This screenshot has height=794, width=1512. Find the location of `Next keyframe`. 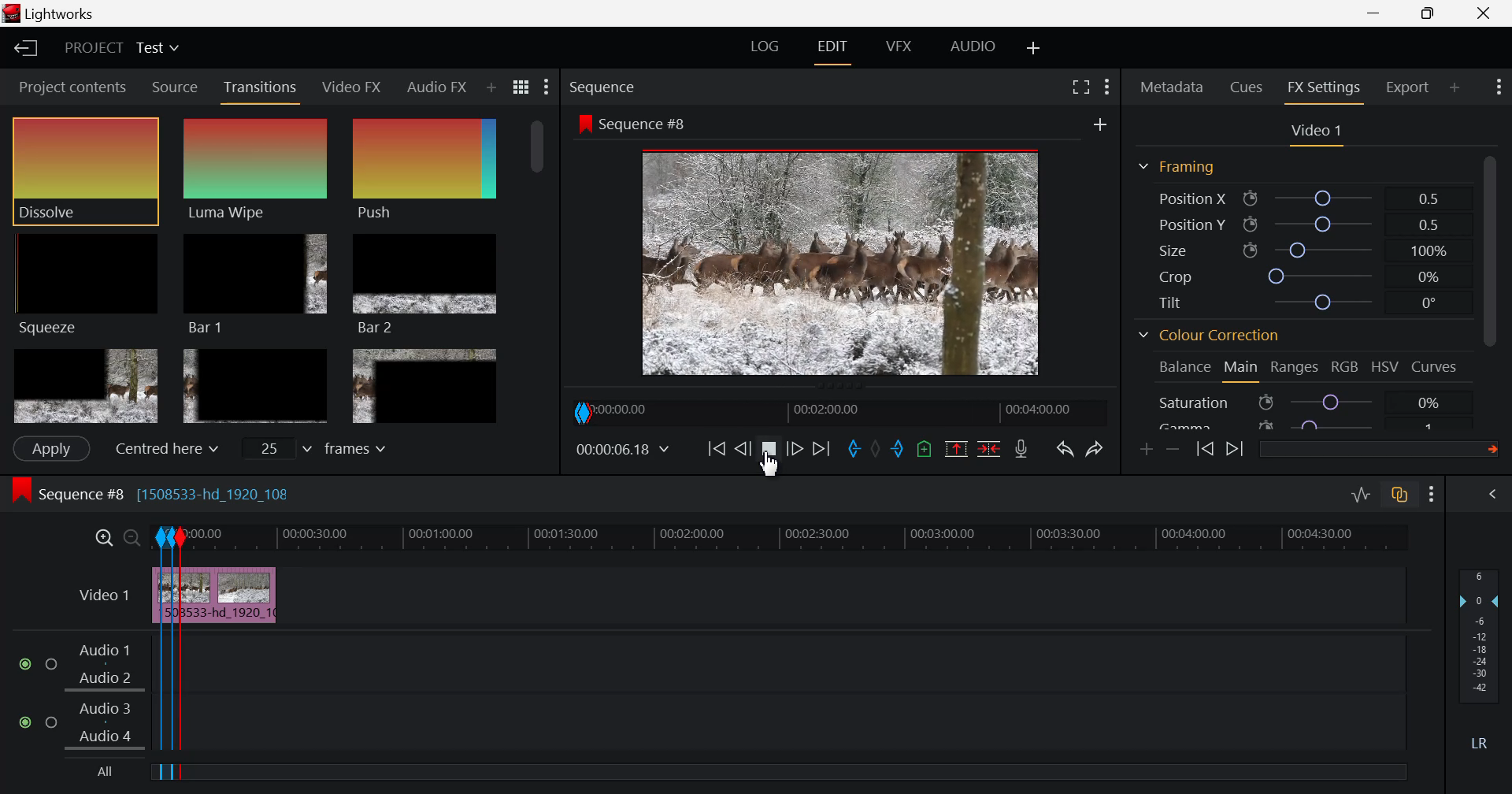

Next keyframe is located at coordinates (1235, 451).